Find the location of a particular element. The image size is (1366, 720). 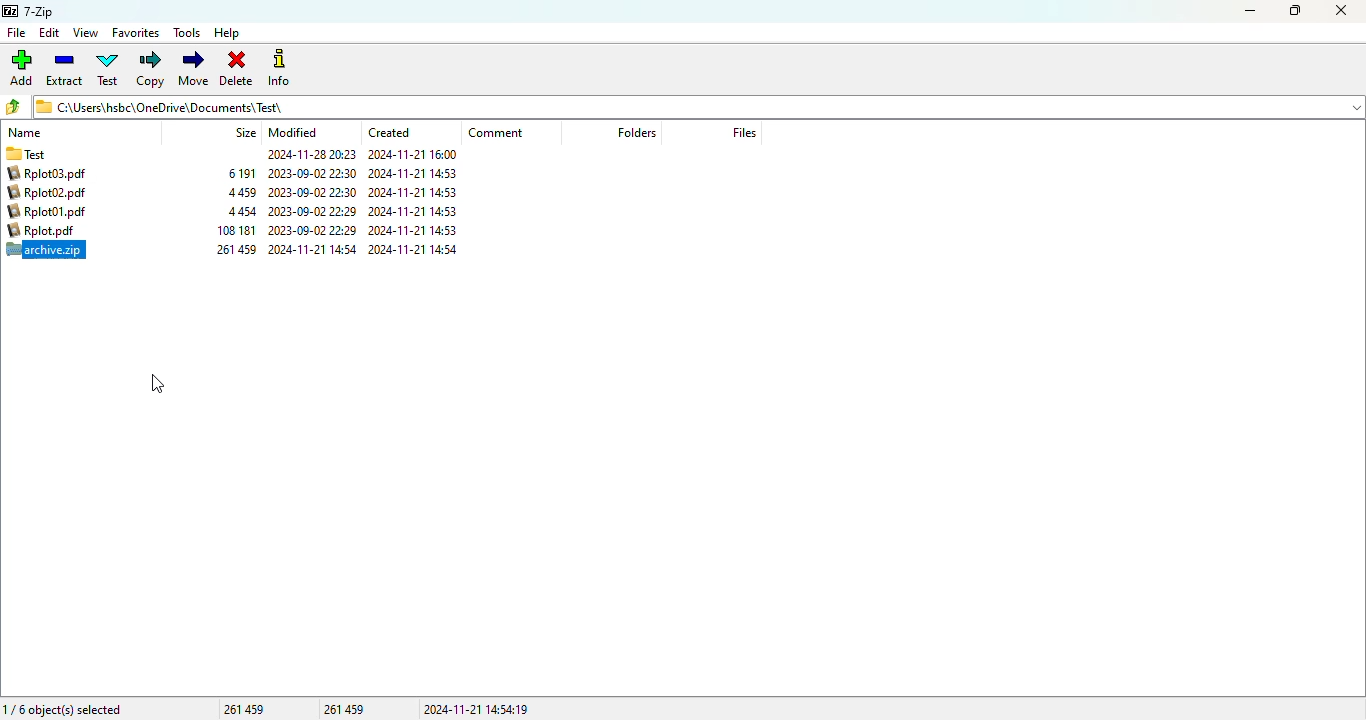

2024-11-21 14:54 is located at coordinates (314, 173).